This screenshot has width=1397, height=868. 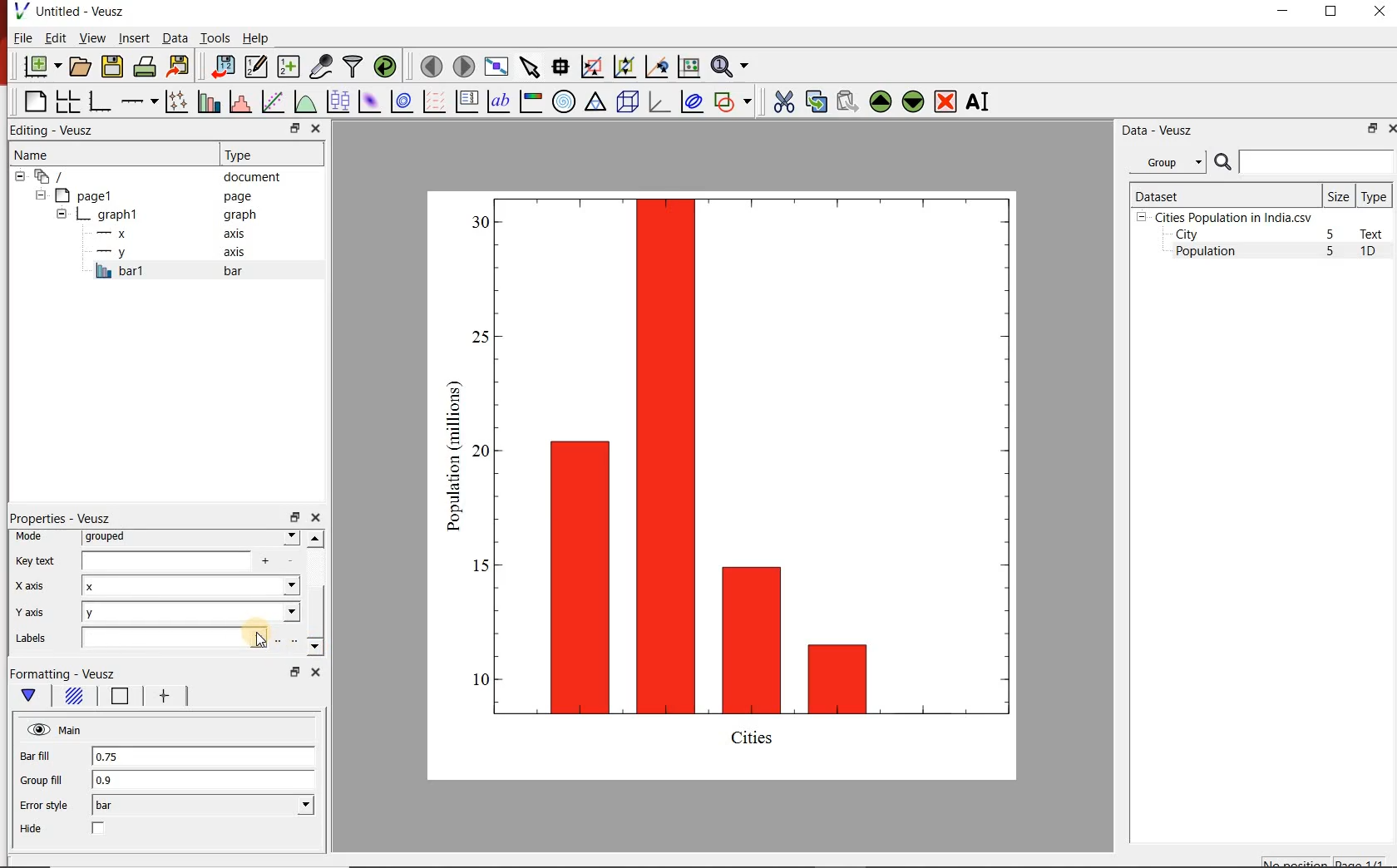 What do you see at coordinates (133, 39) in the screenshot?
I see `Insert` at bounding box center [133, 39].